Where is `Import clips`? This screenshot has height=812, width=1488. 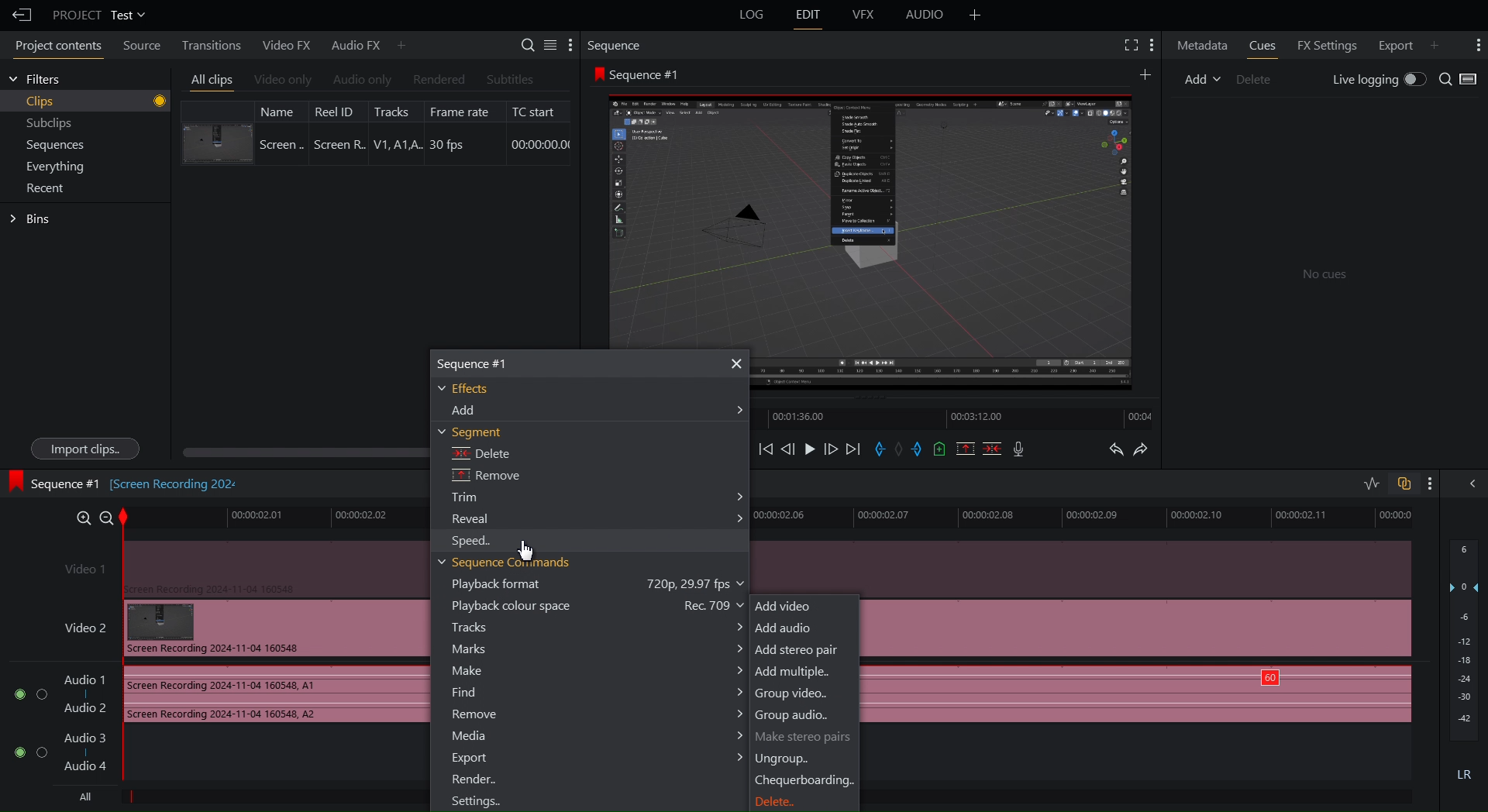
Import clips is located at coordinates (84, 449).